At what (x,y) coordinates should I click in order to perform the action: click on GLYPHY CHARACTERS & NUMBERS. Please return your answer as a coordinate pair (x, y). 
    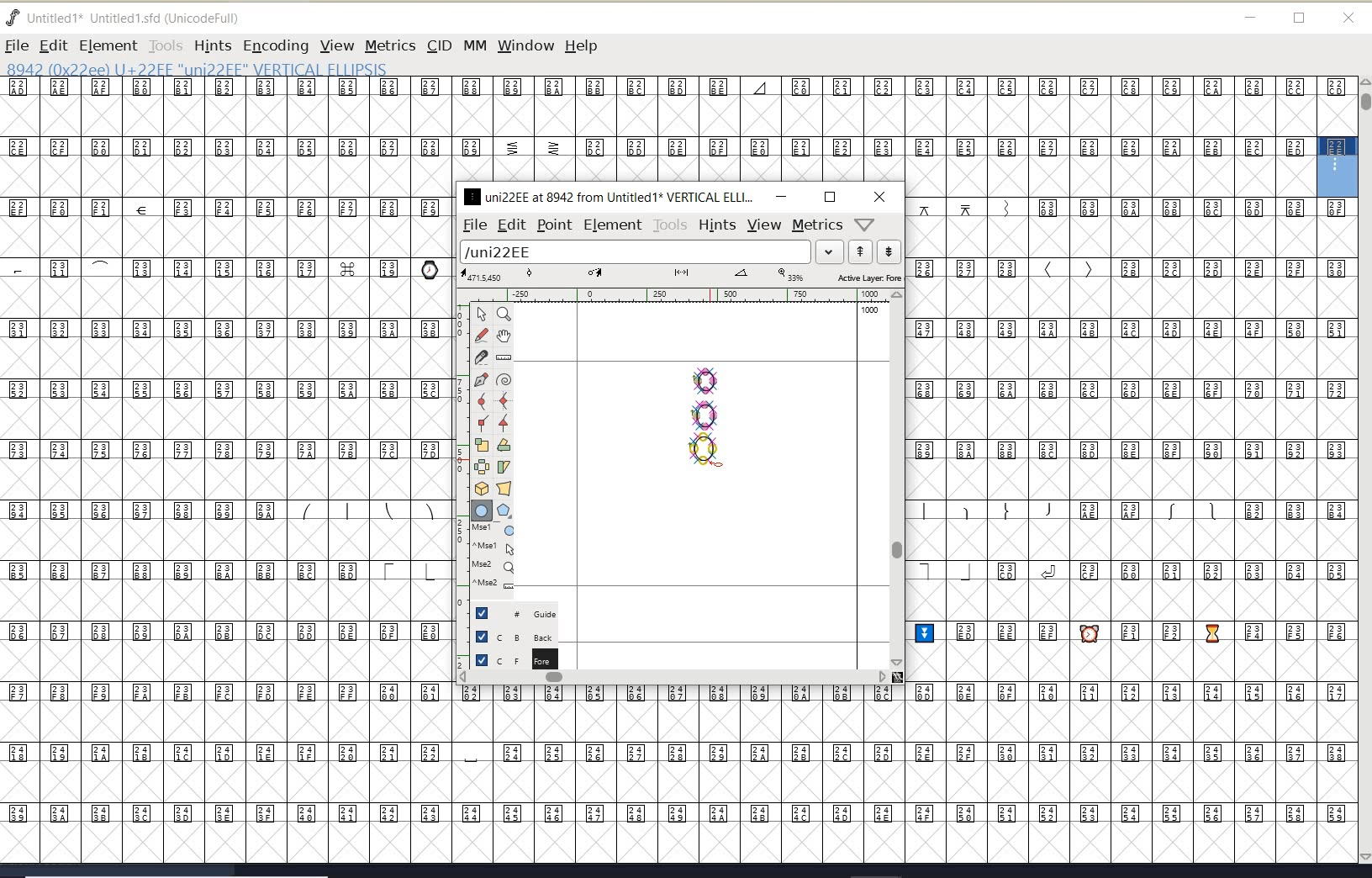
    Looking at the image, I should click on (455, 773).